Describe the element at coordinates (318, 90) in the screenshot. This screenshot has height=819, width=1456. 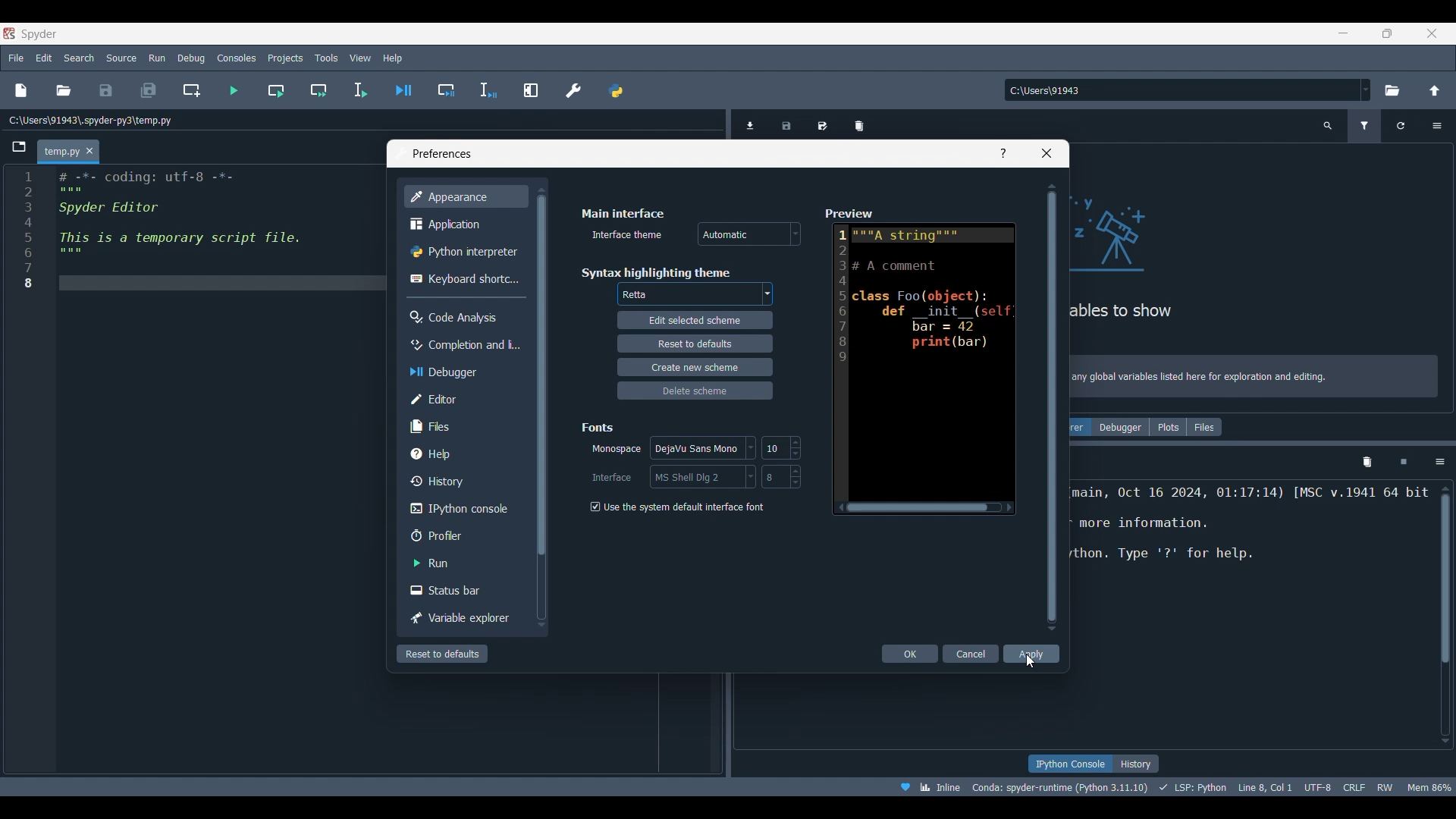
I see `Run current cell and go to the next one` at that location.